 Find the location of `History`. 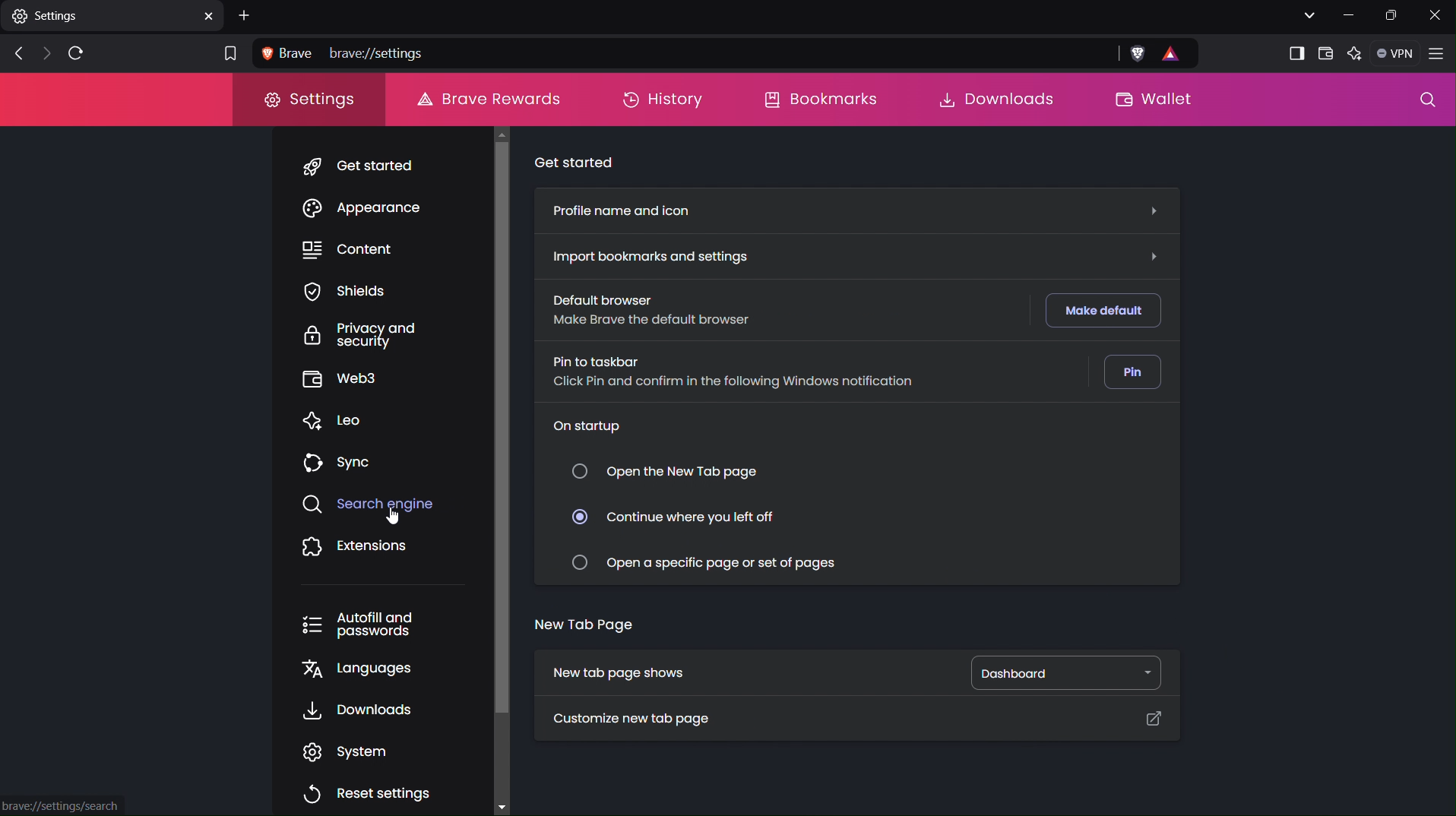

History is located at coordinates (663, 99).